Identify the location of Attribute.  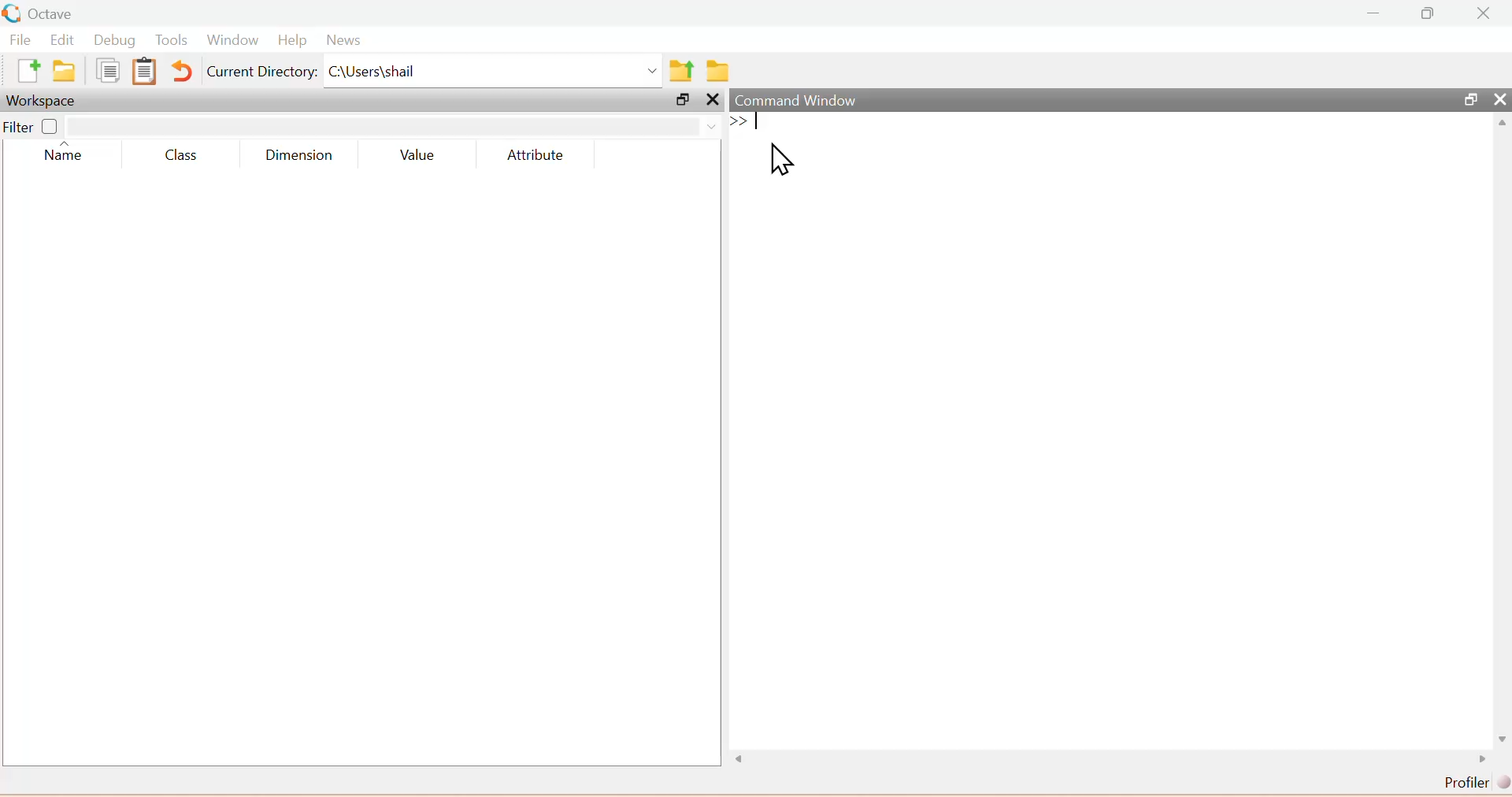
(532, 156).